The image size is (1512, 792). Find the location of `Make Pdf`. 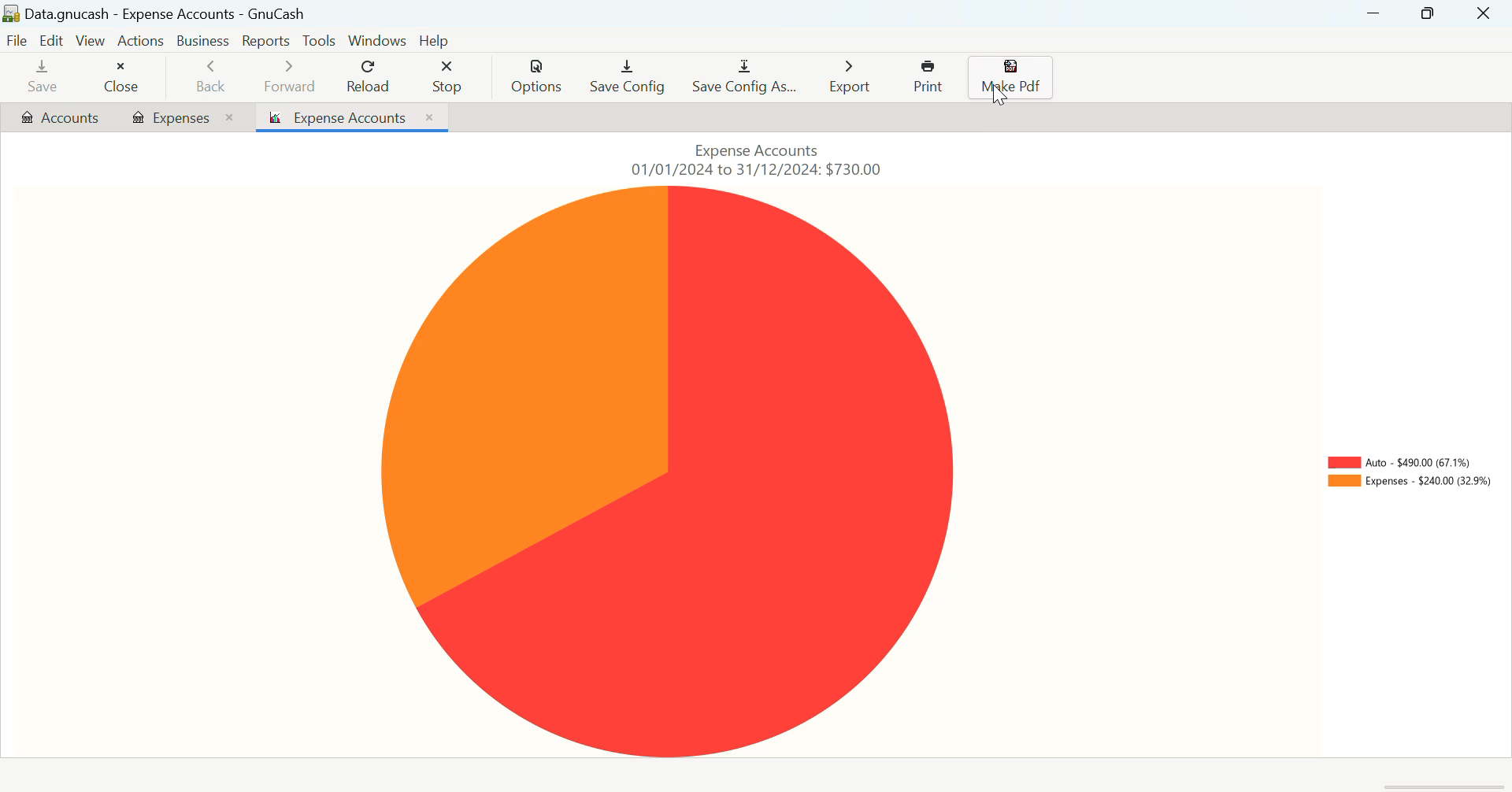

Make Pdf is located at coordinates (1010, 78).